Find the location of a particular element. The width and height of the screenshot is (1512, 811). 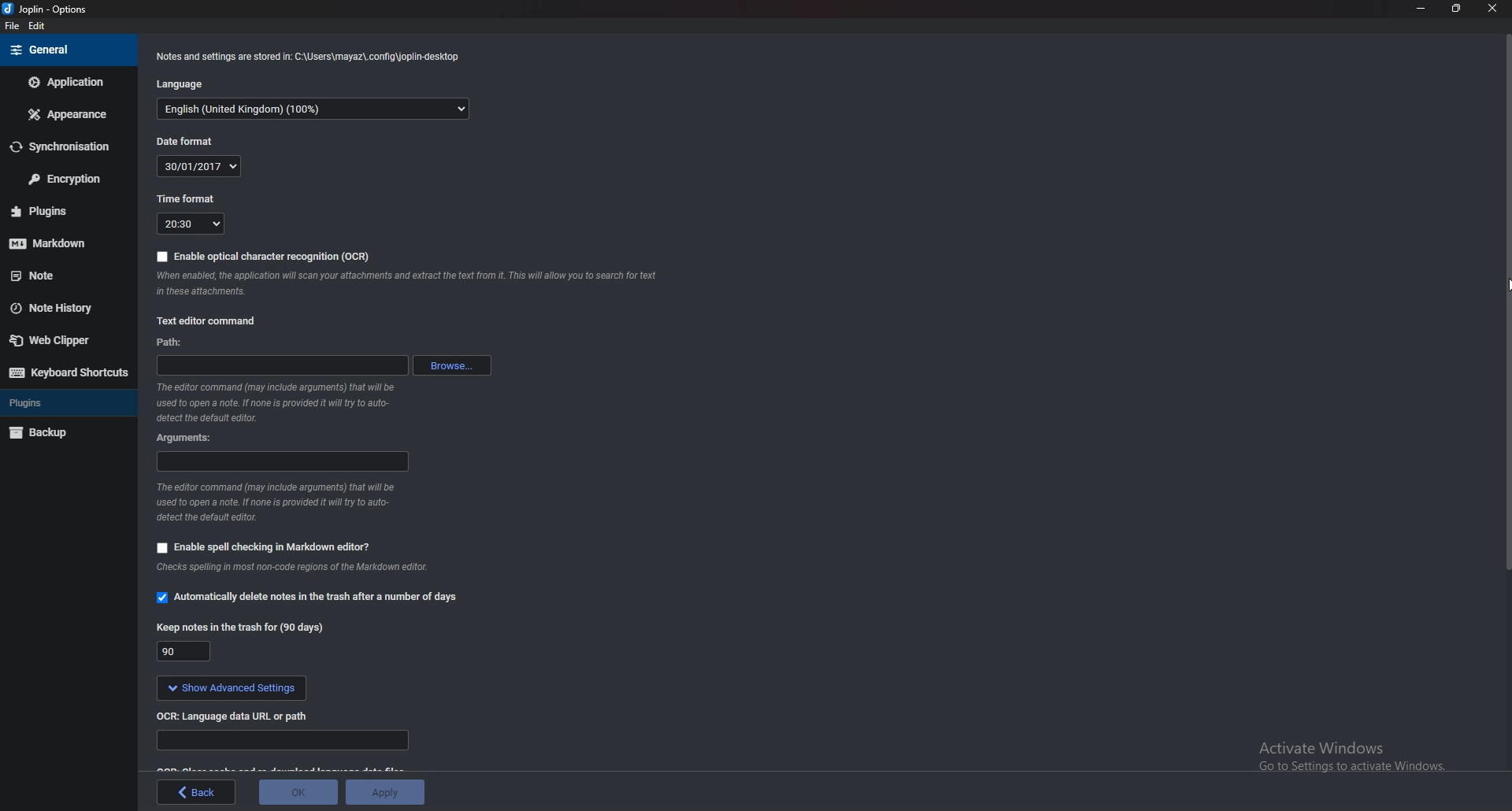

enable OCR is located at coordinates (264, 256).